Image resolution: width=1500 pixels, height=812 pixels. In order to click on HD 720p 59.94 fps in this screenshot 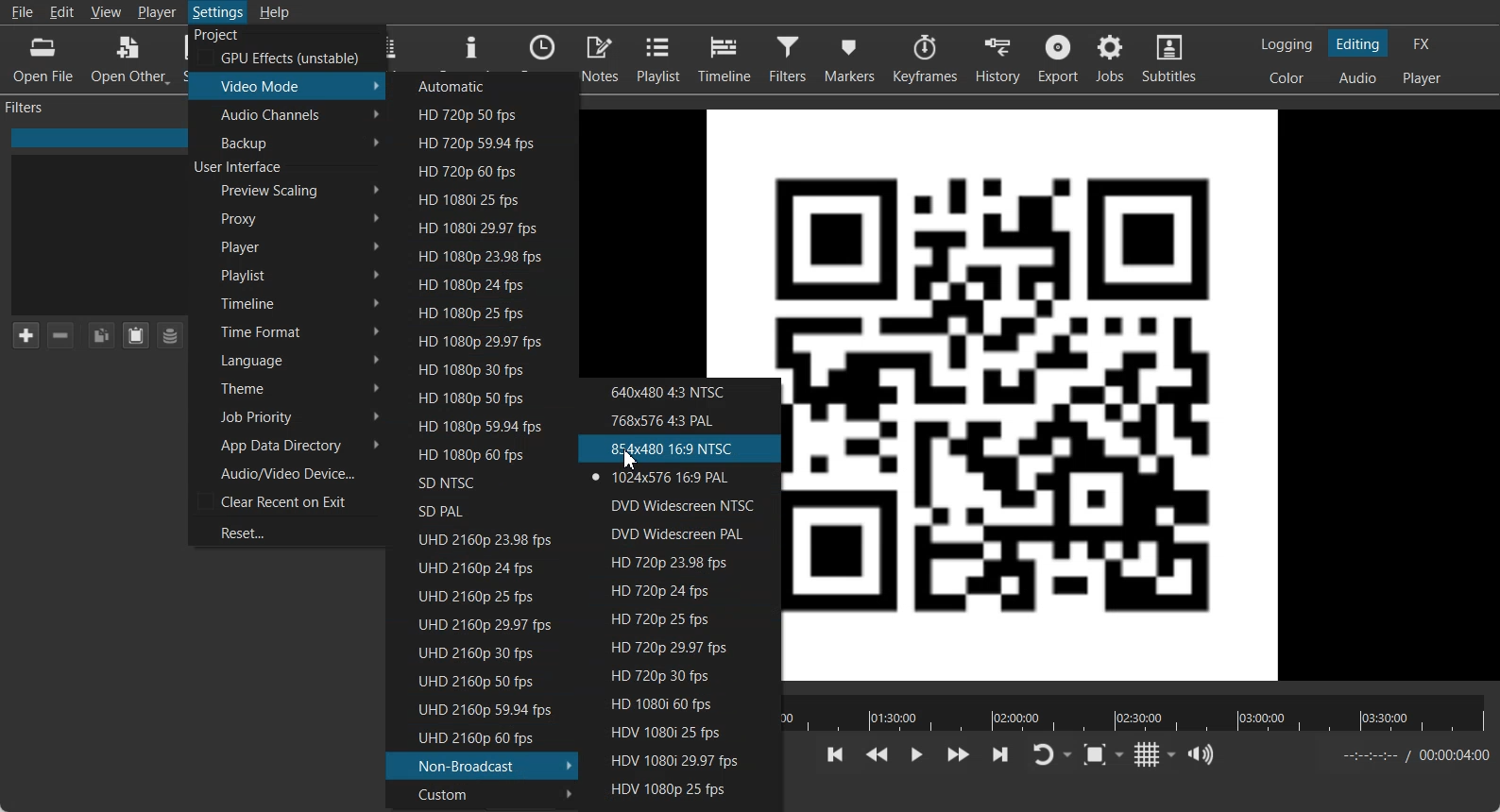, I will do `click(481, 142)`.